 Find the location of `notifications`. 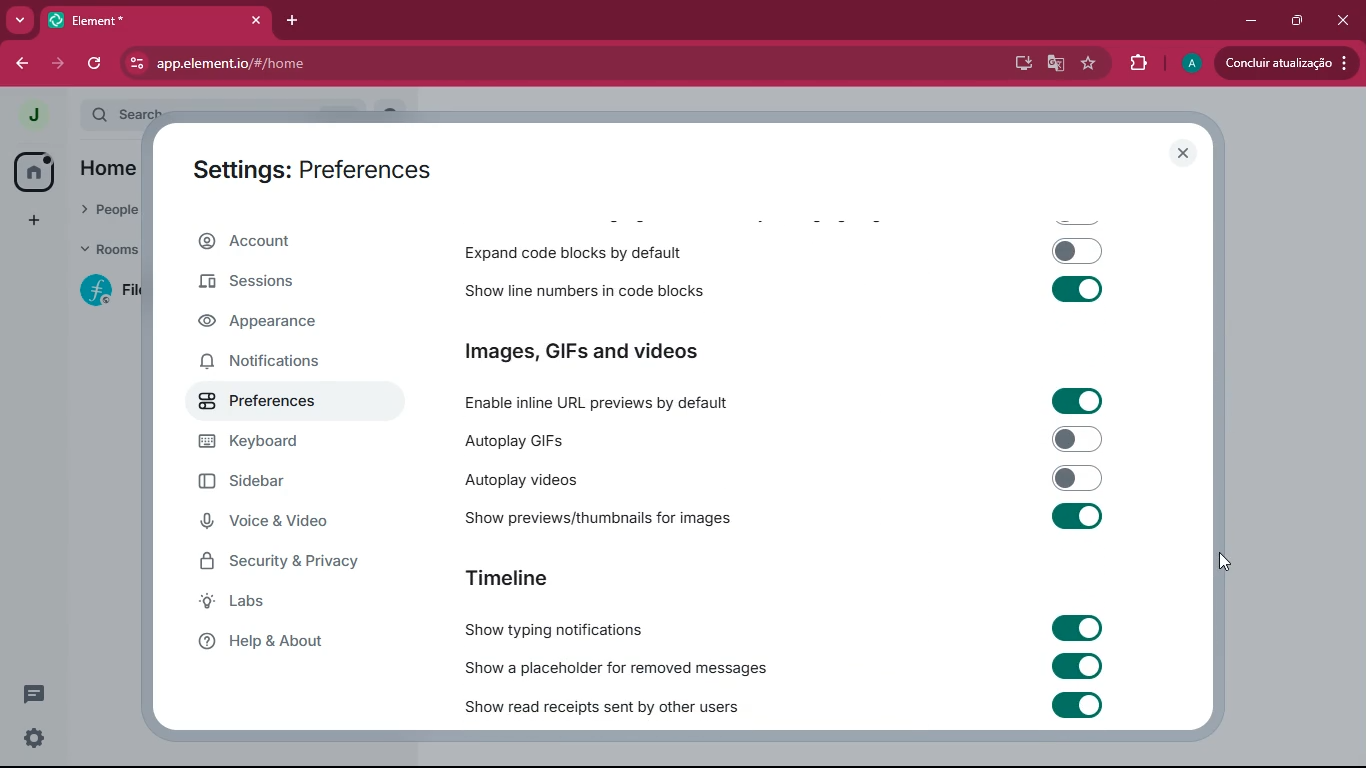

notifications is located at coordinates (276, 363).